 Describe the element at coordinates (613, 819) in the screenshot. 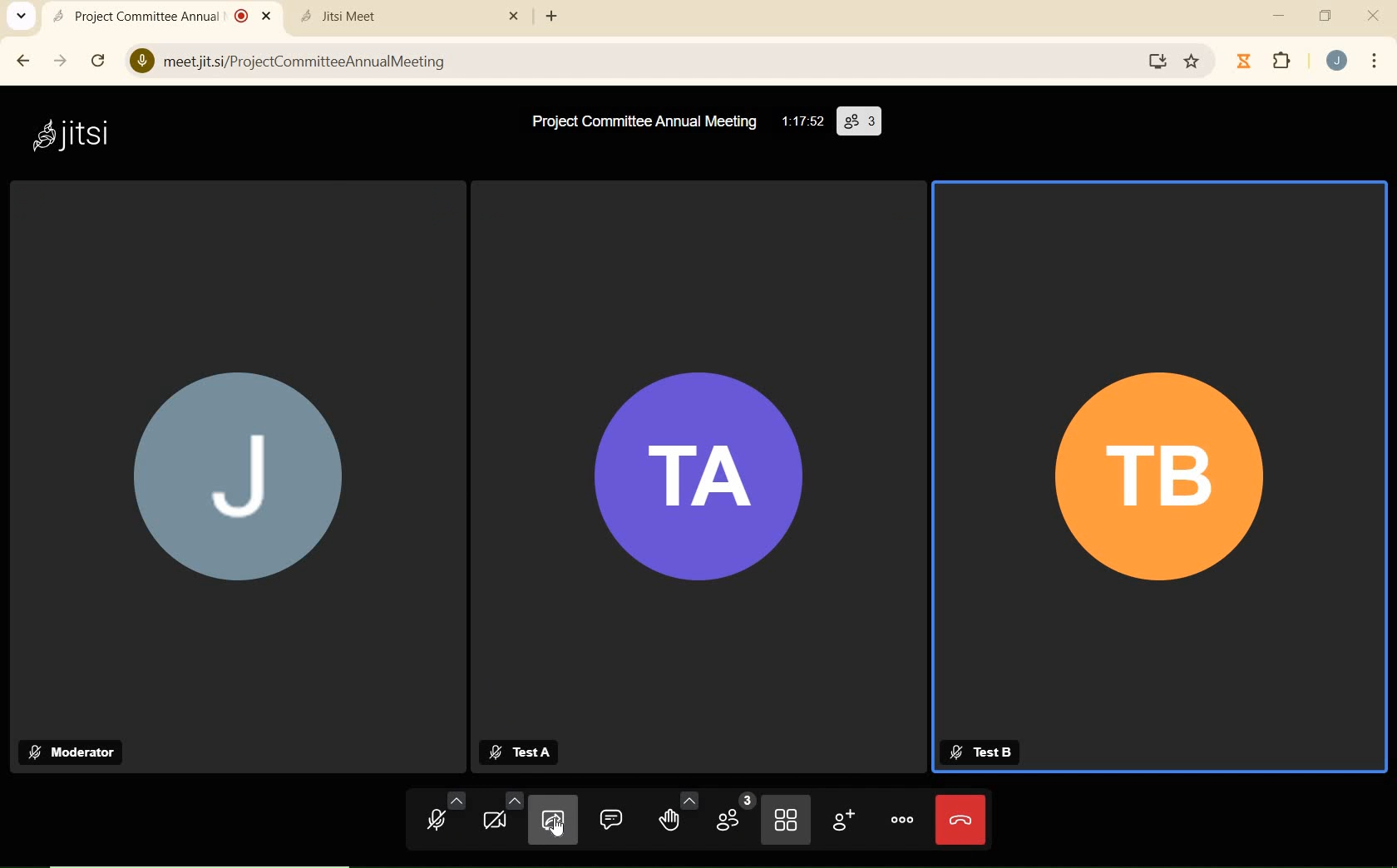

I see `open chat` at that location.